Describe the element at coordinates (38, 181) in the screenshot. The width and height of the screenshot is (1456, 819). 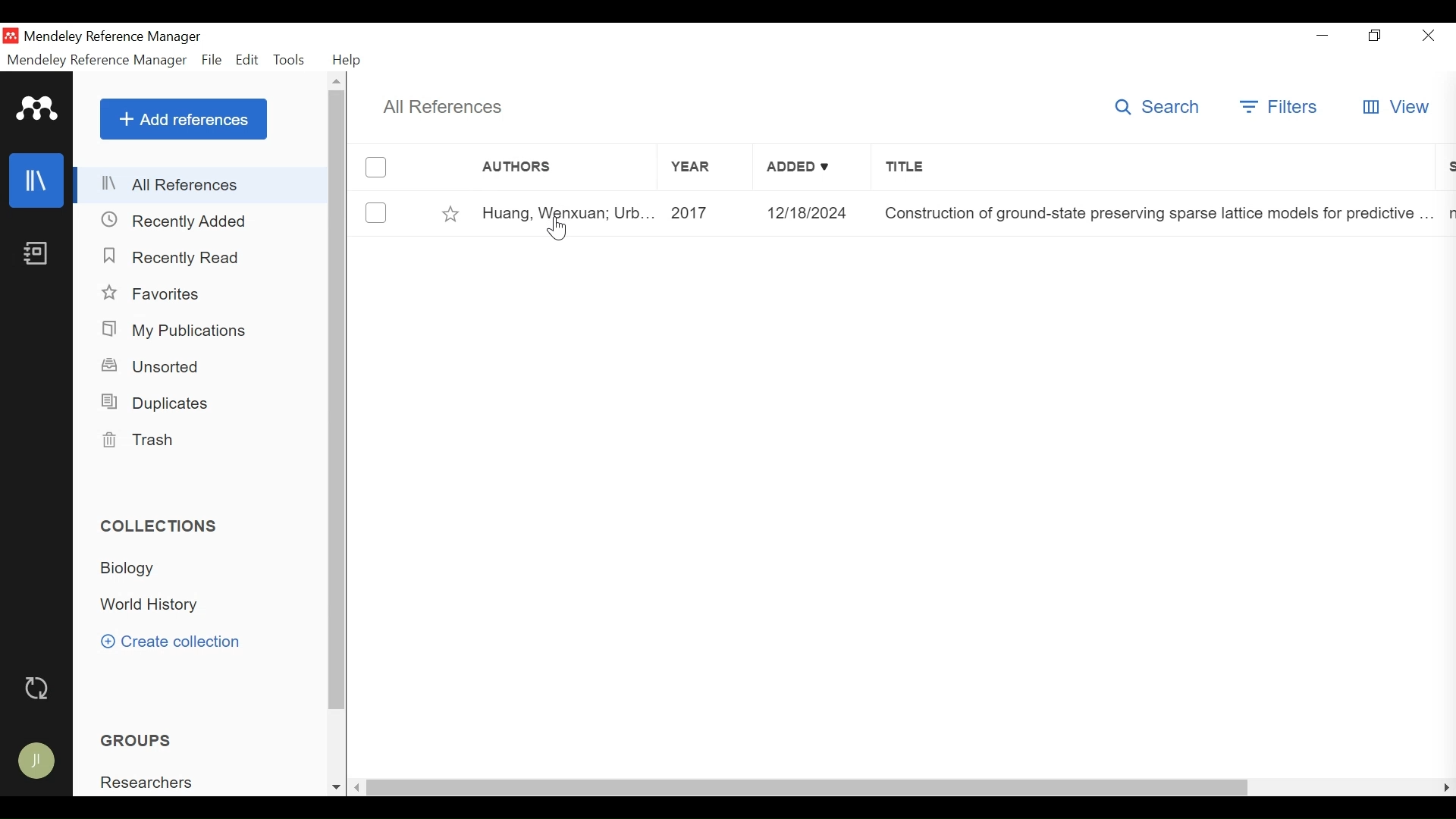
I see `Library` at that location.